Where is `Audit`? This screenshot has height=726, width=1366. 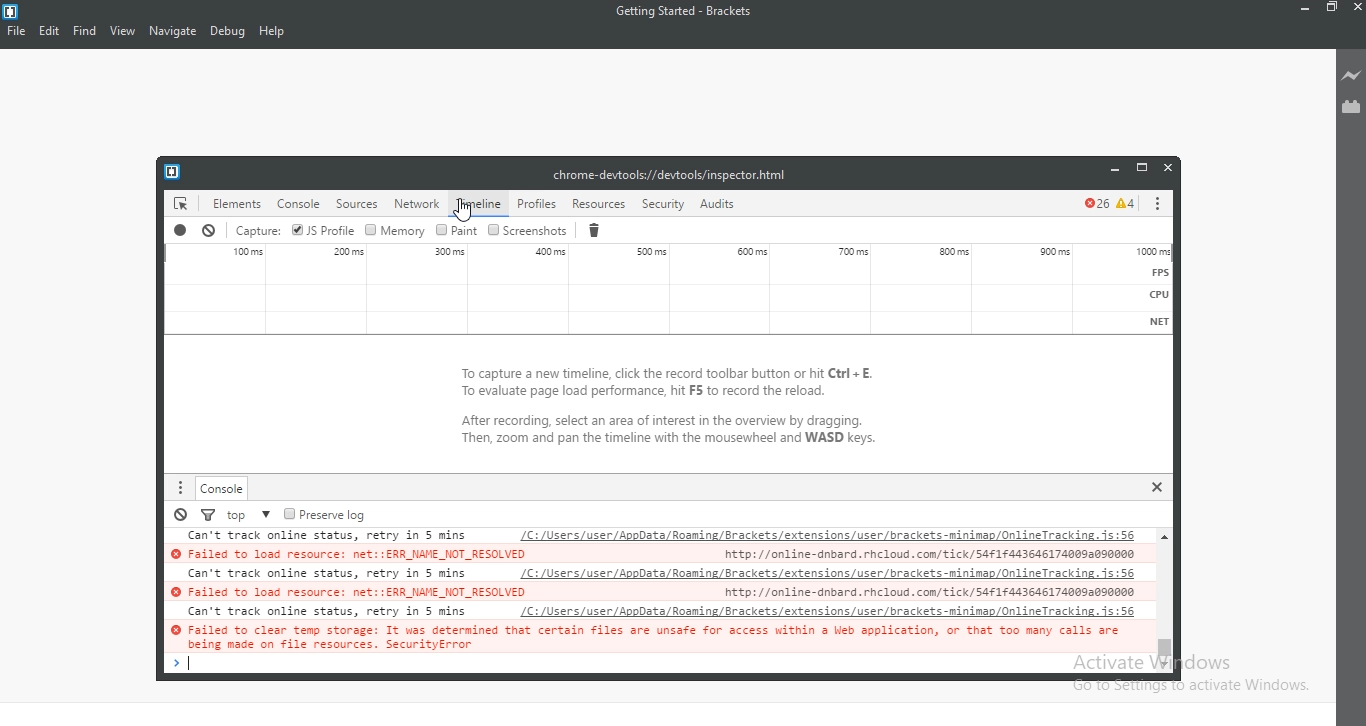 Audit is located at coordinates (725, 203).